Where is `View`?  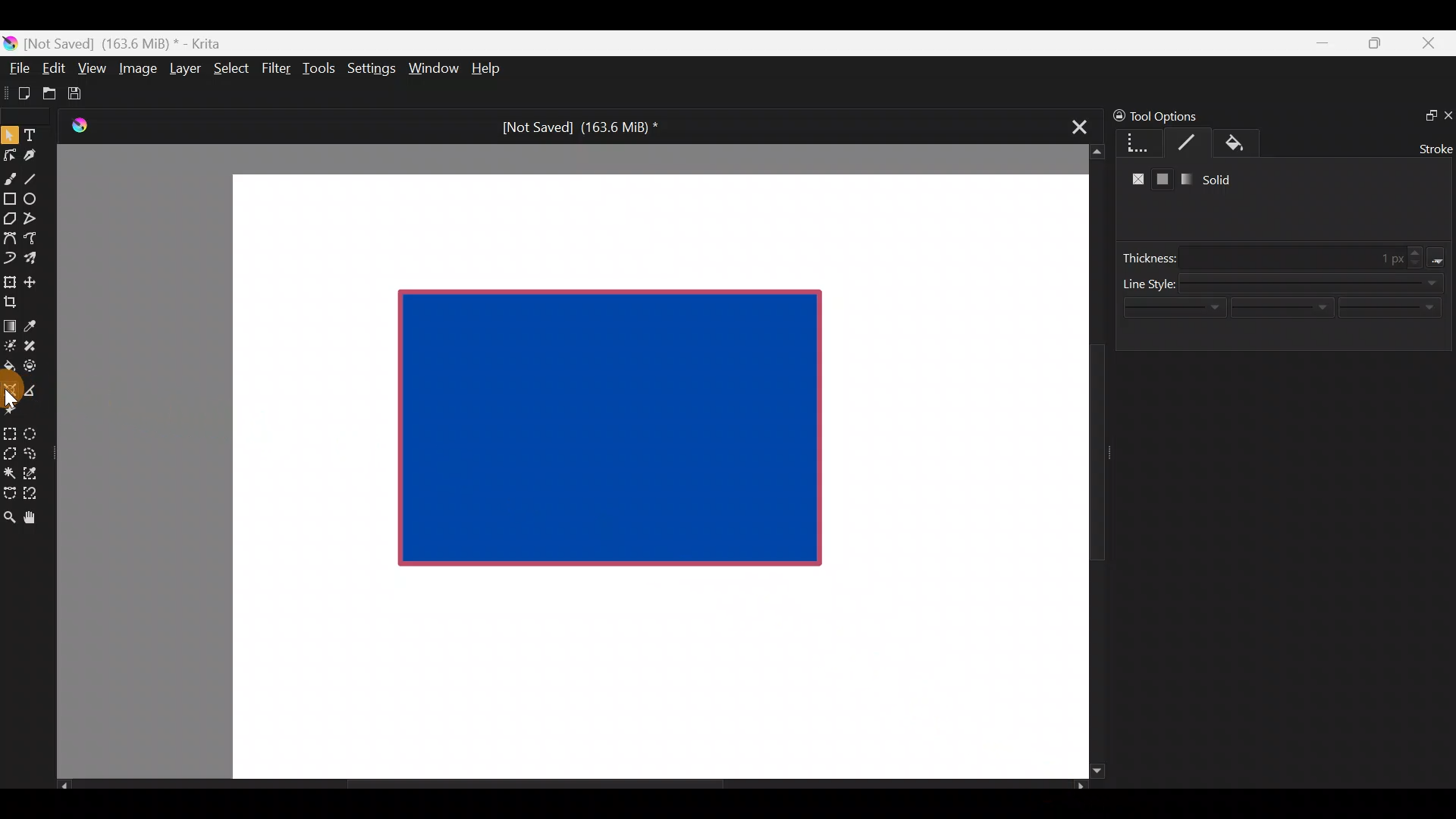
View is located at coordinates (93, 68).